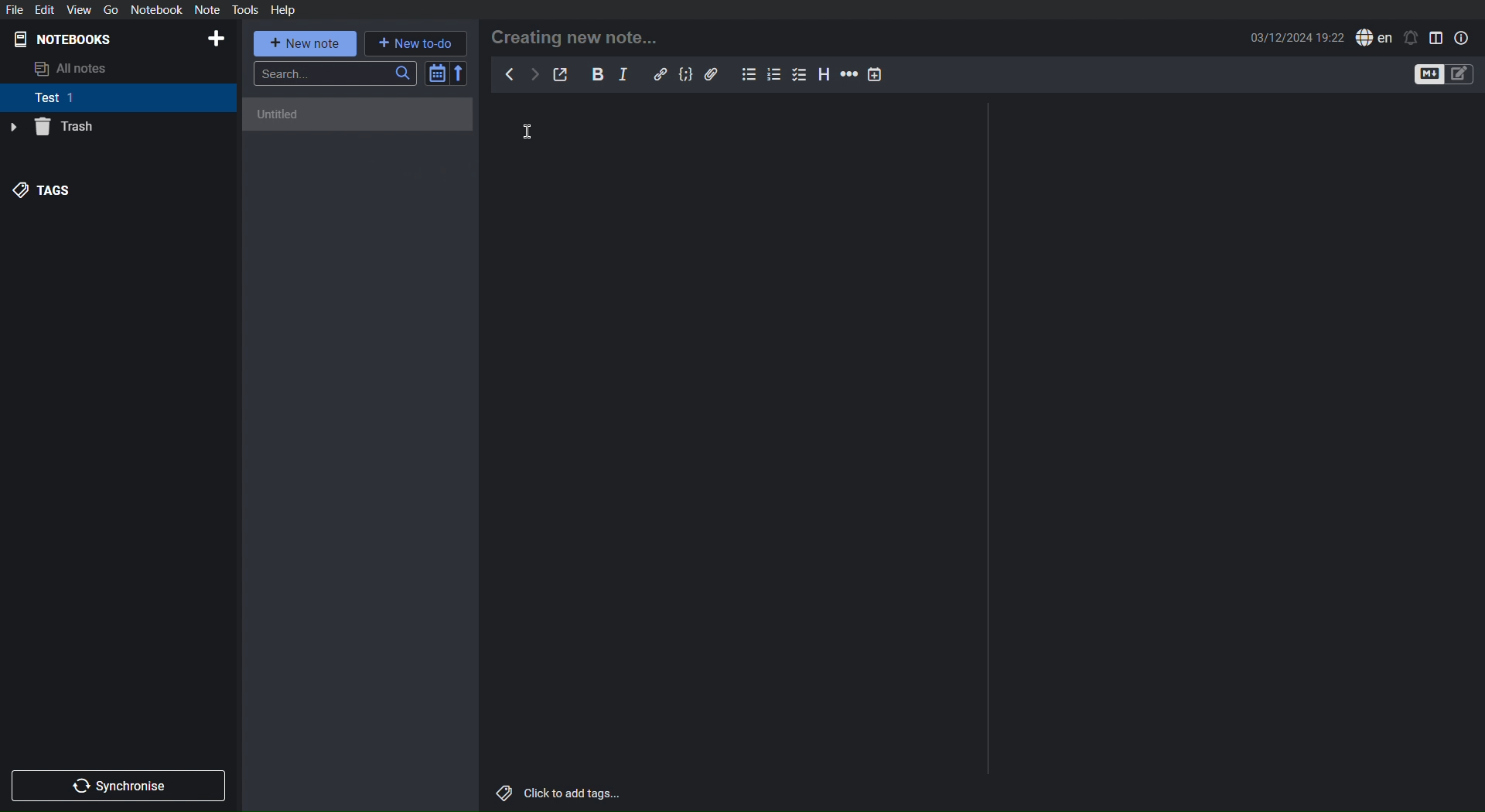  I want to click on Tools, so click(246, 10).